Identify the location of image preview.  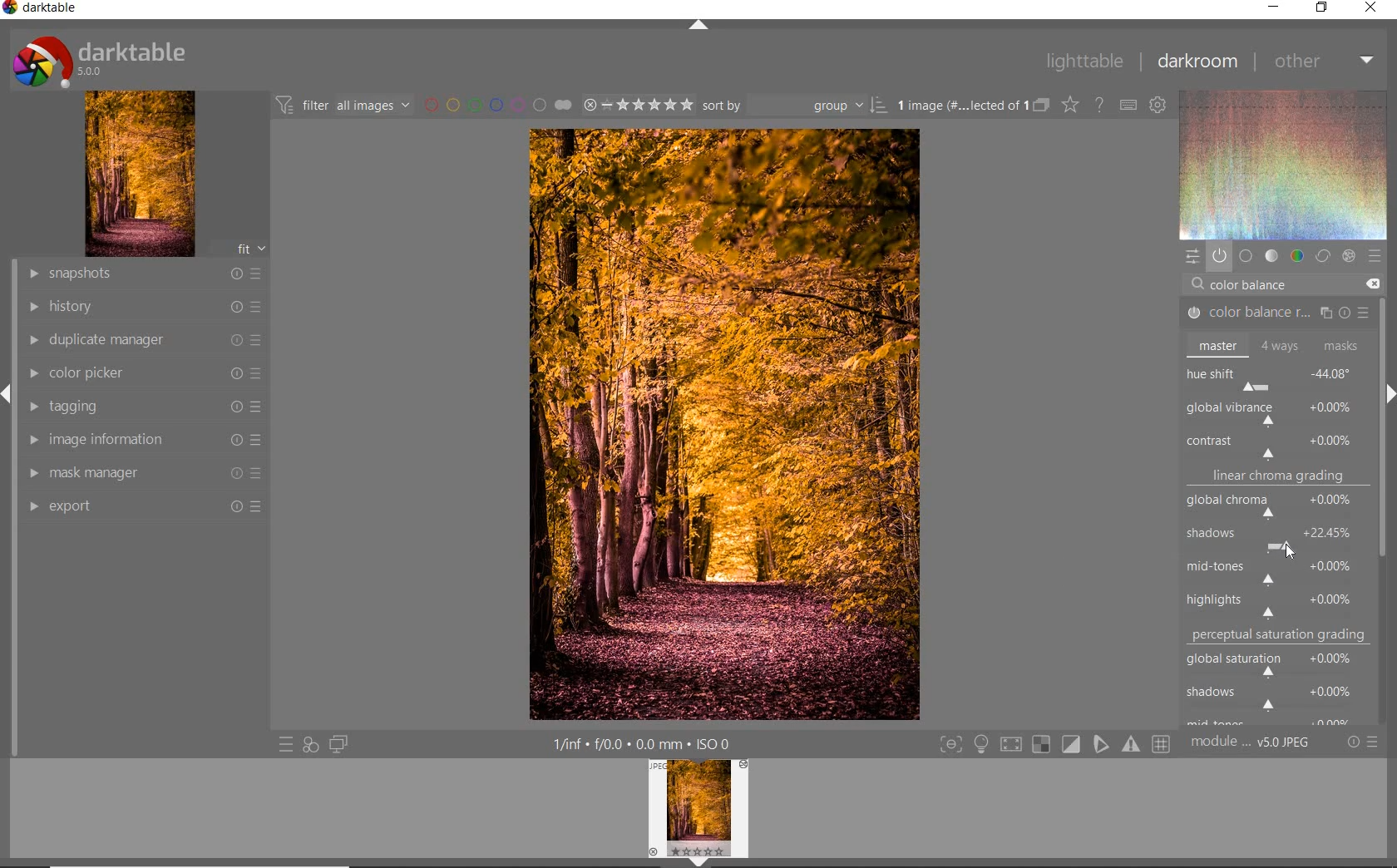
(698, 814).